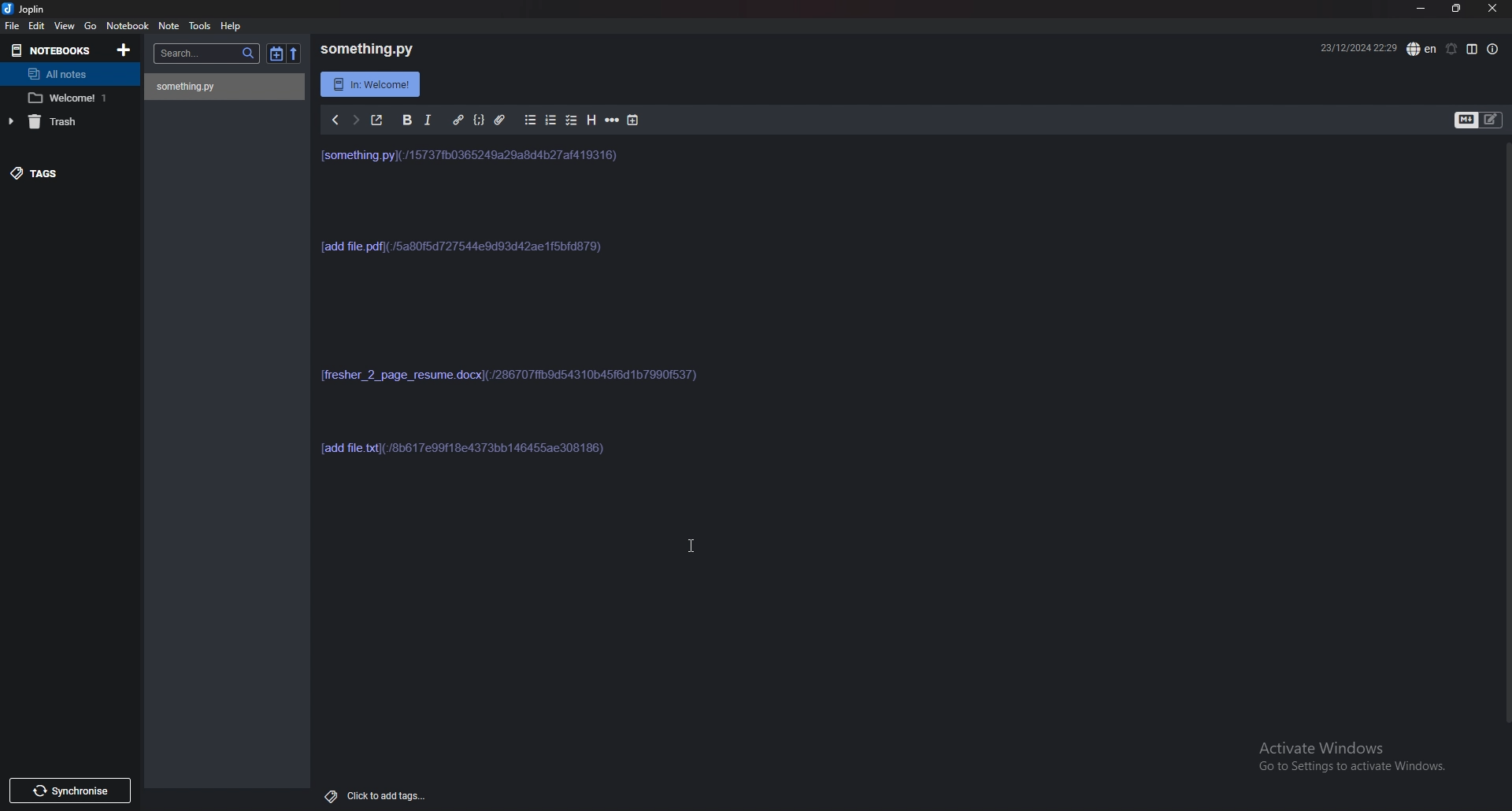 This screenshot has height=811, width=1512. Describe the element at coordinates (37, 26) in the screenshot. I see `edit` at that location.